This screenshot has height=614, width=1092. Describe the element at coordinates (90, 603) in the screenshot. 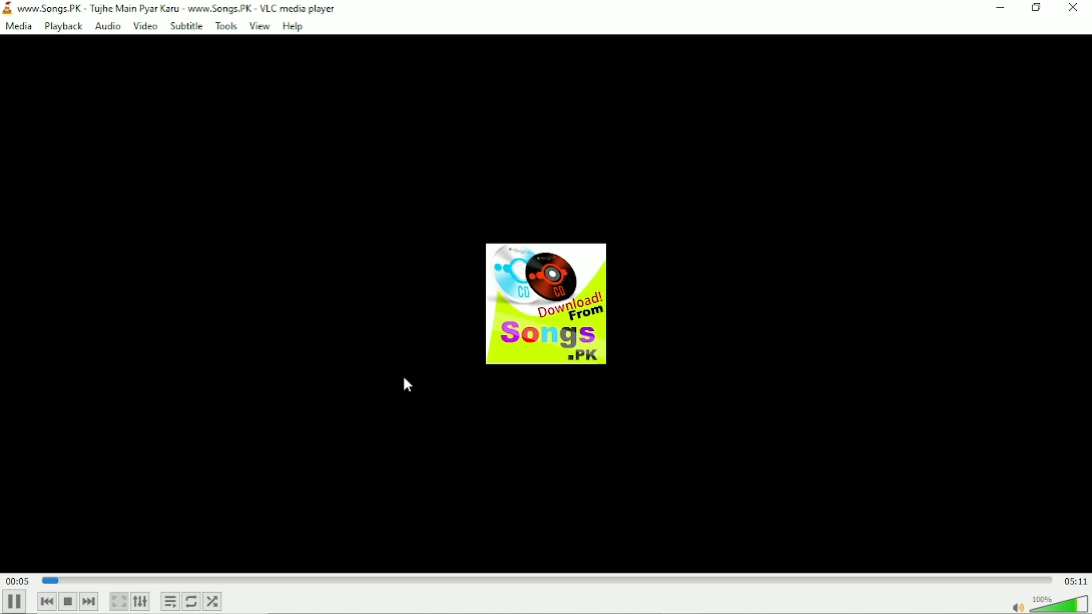

I see `Next` at that location.